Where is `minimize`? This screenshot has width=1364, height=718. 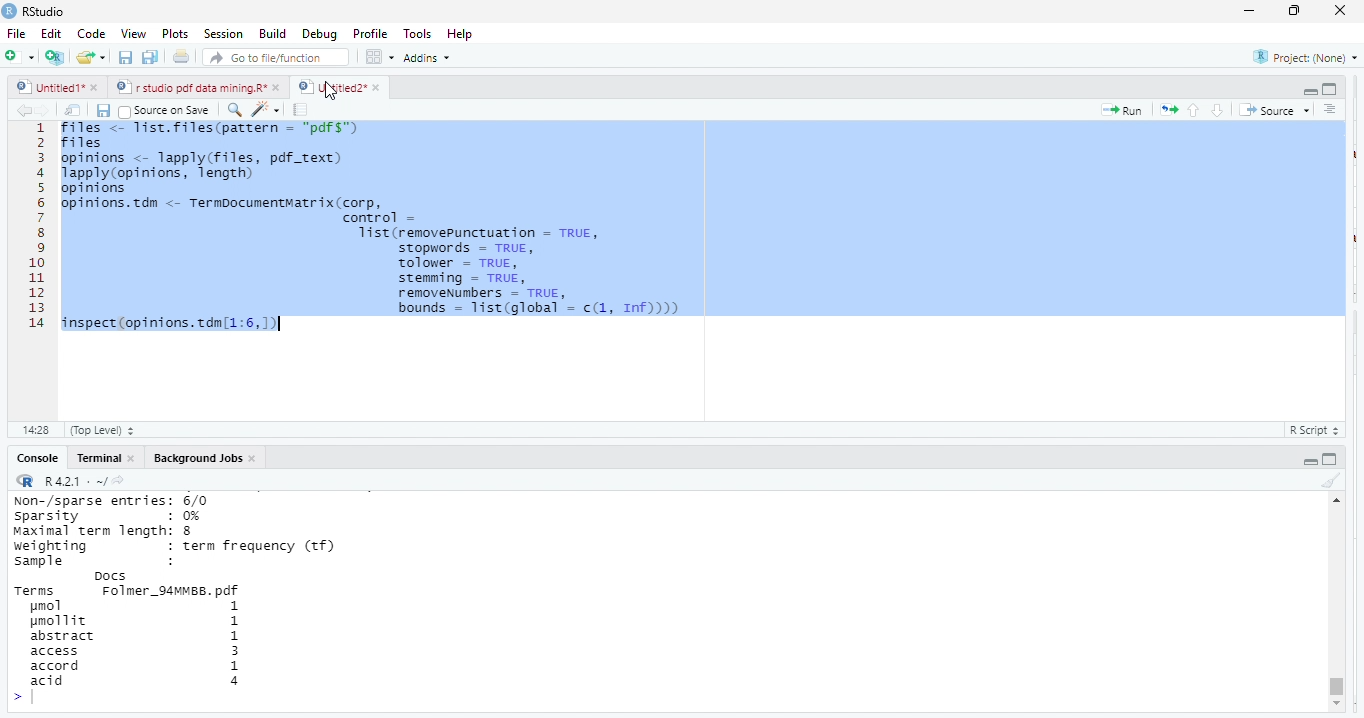
minimize is located at coordinates (1249, 10).